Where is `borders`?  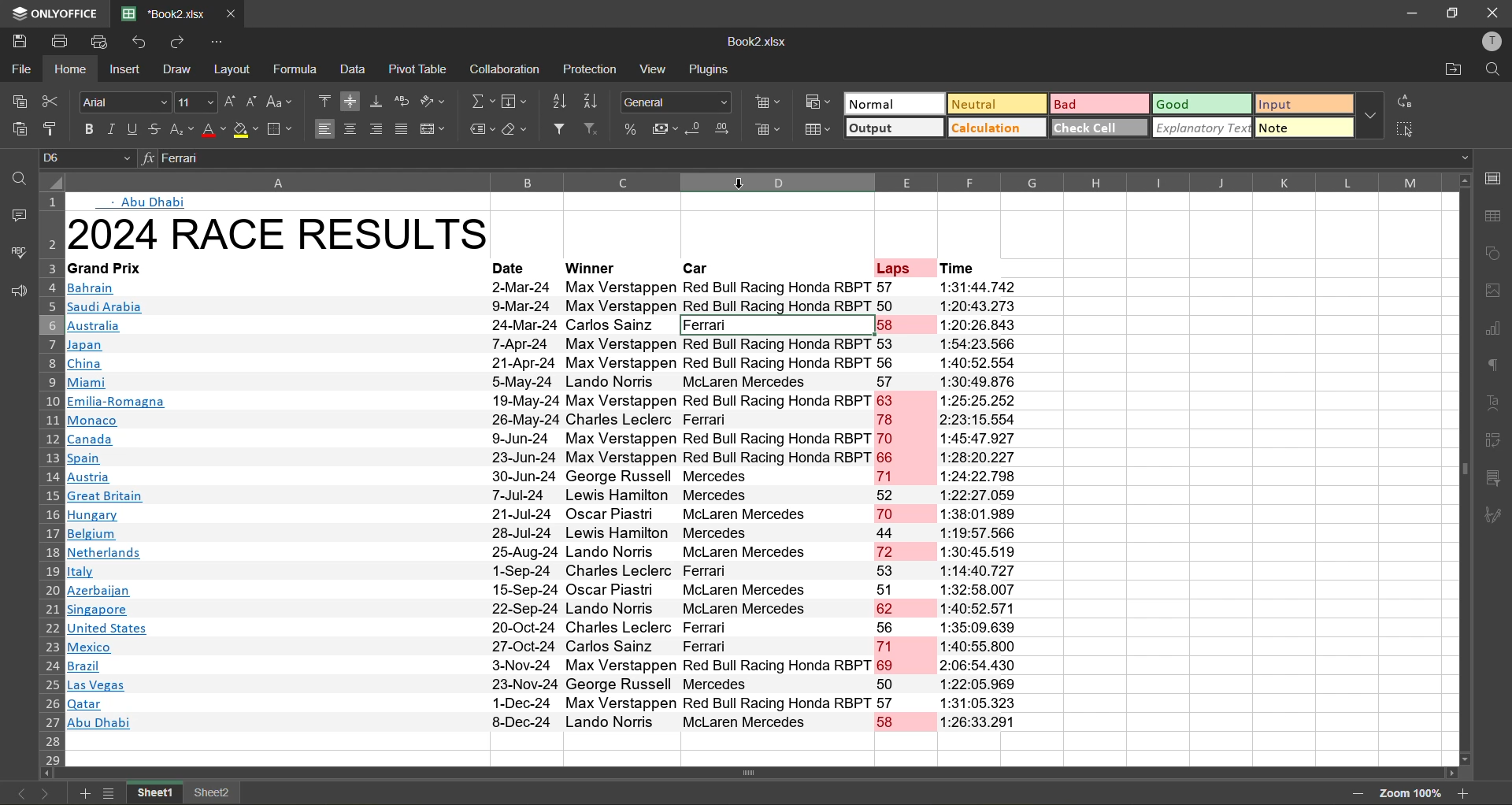 borders is located at coordinates (283, 129).